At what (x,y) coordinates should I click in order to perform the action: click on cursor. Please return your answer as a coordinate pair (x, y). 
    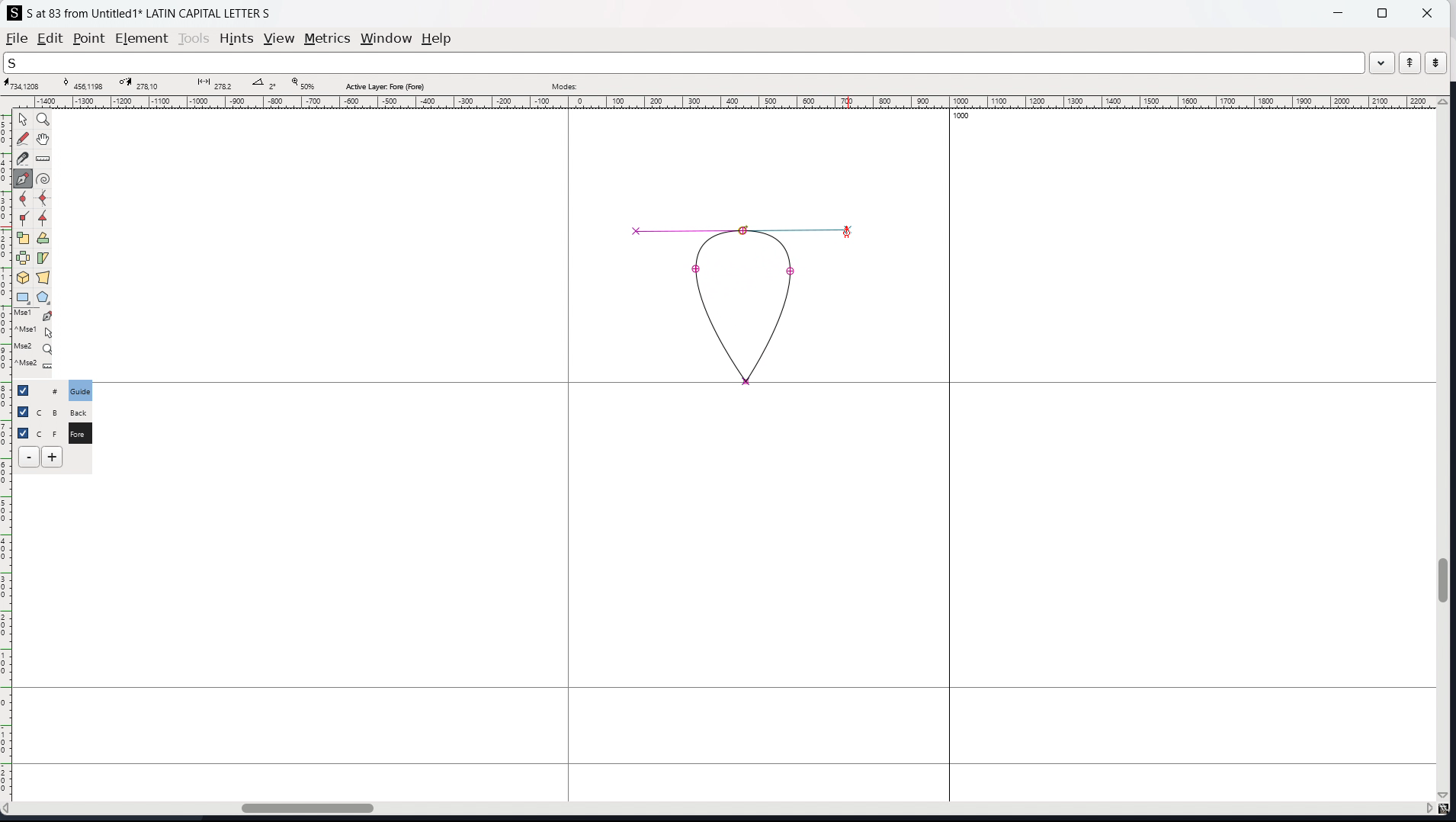
    Looking at the image, I should click on (848, 233).